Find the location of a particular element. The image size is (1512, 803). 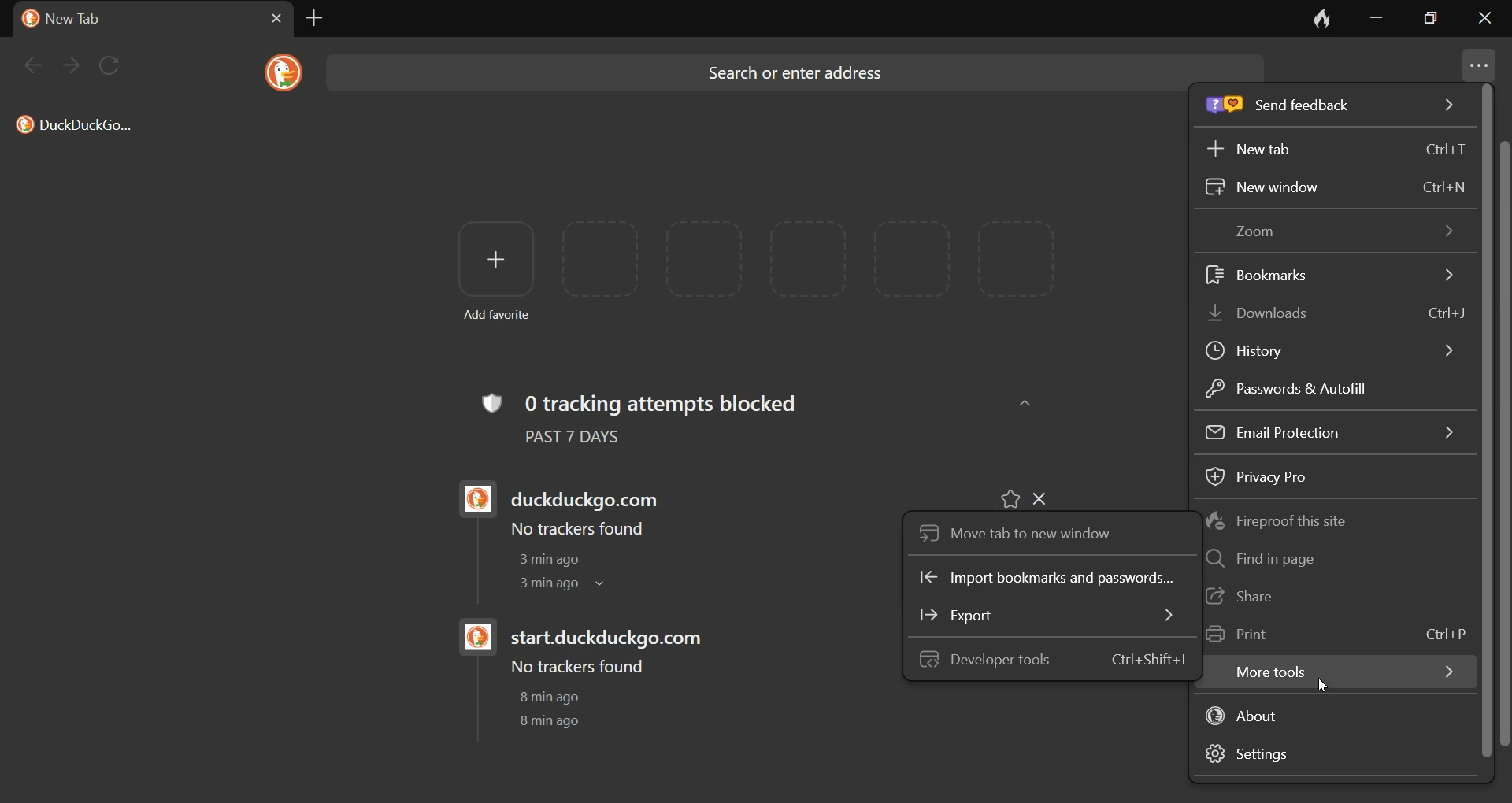

settings is located at coordinates (1275, 756).